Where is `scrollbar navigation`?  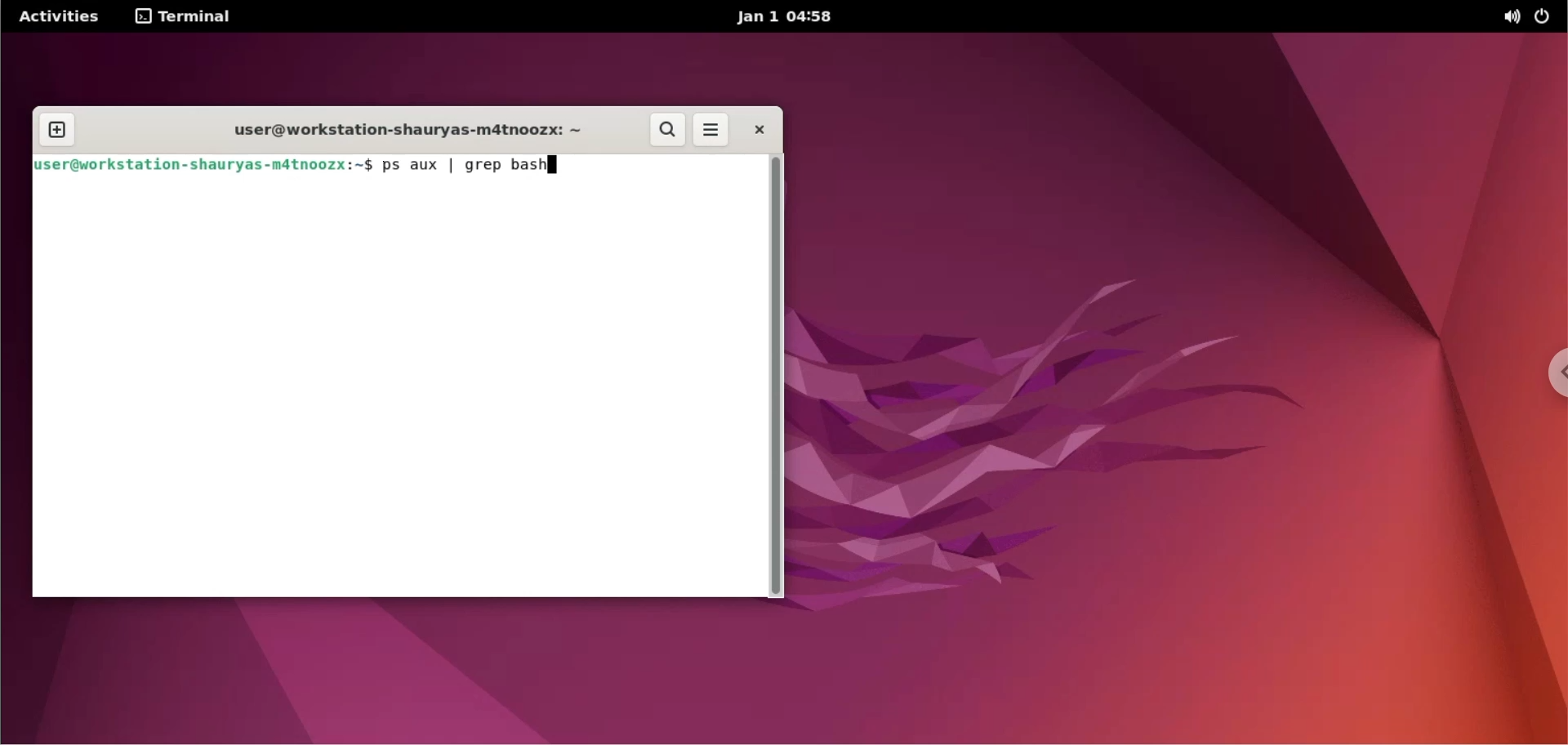
scrollbar navigation is located at coordinates (777, 375).